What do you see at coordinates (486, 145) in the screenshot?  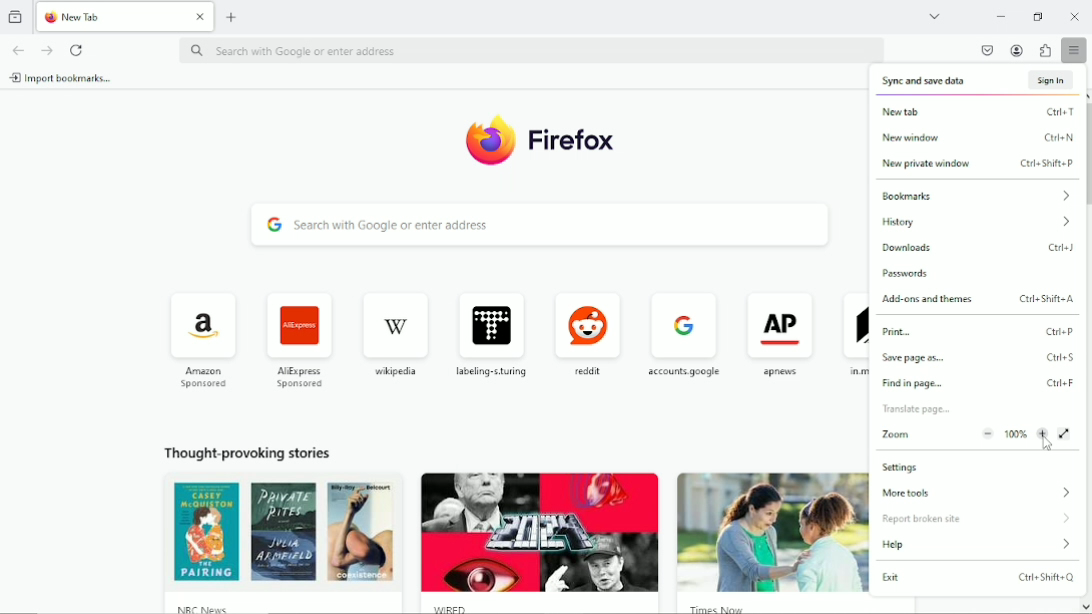 I see `logo ` at bounding box center [486, 145].